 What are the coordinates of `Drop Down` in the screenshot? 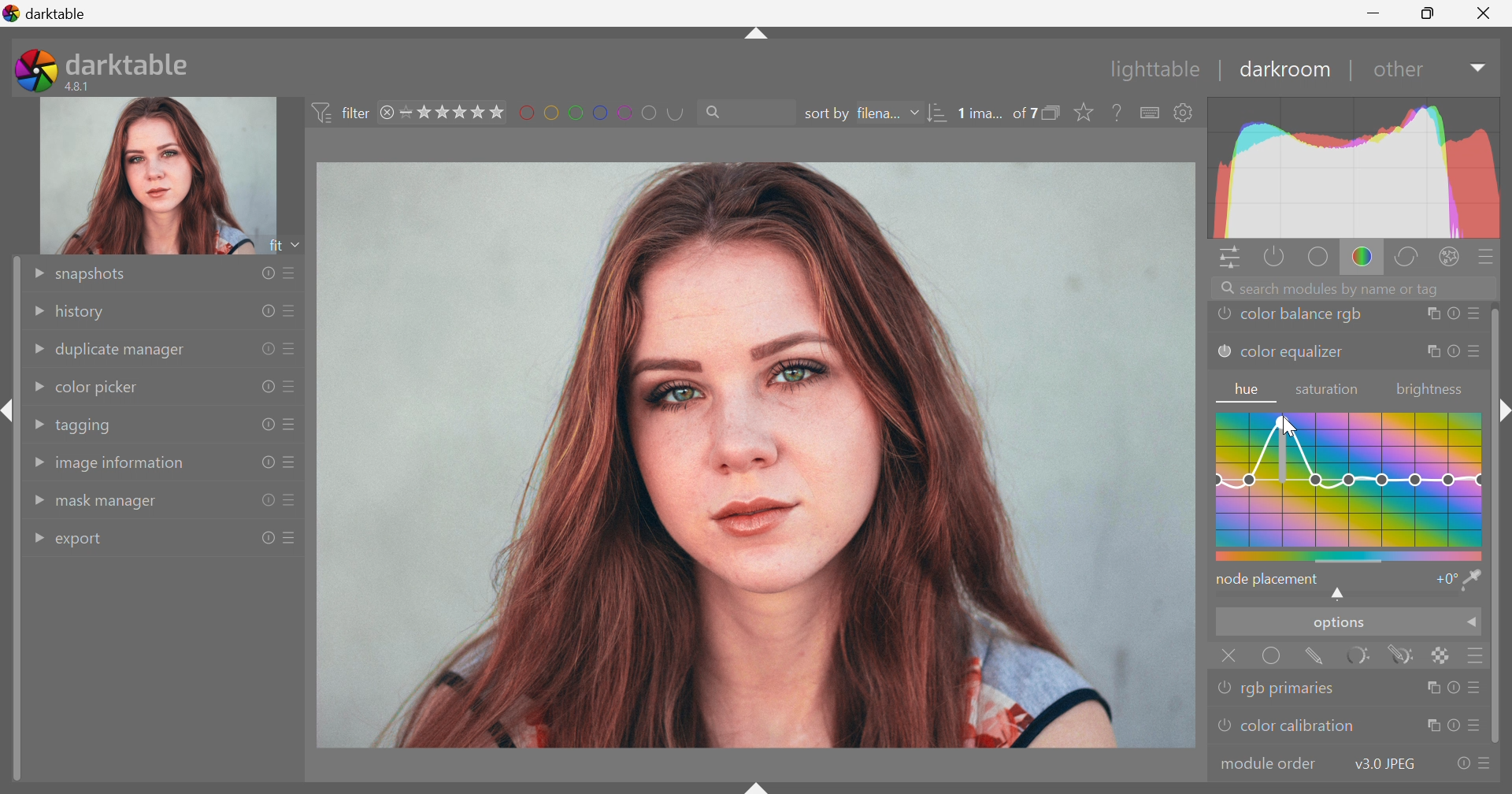 It's located at (37, 501).